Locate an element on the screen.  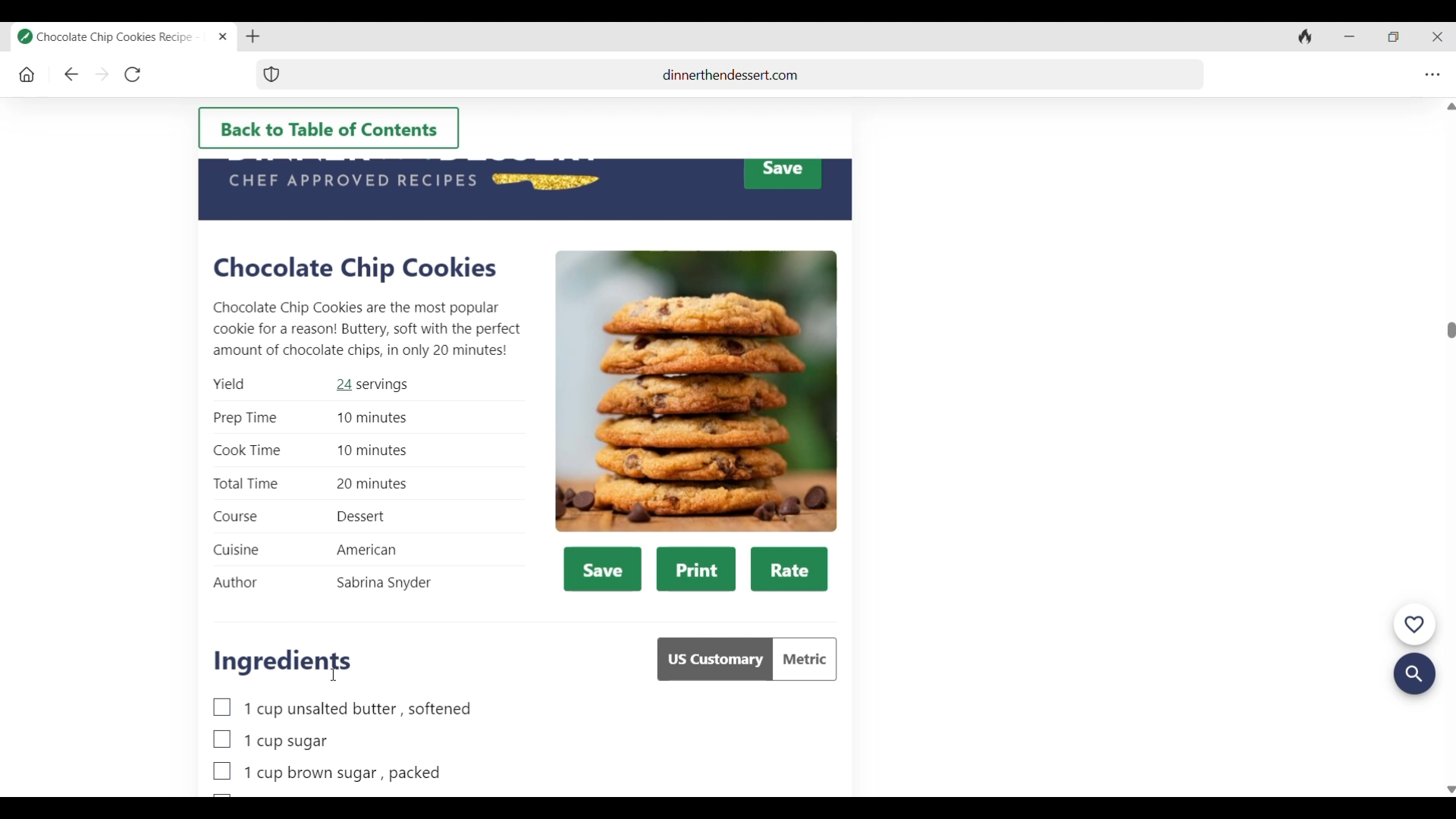
Home is located at coordinates (27, 76).